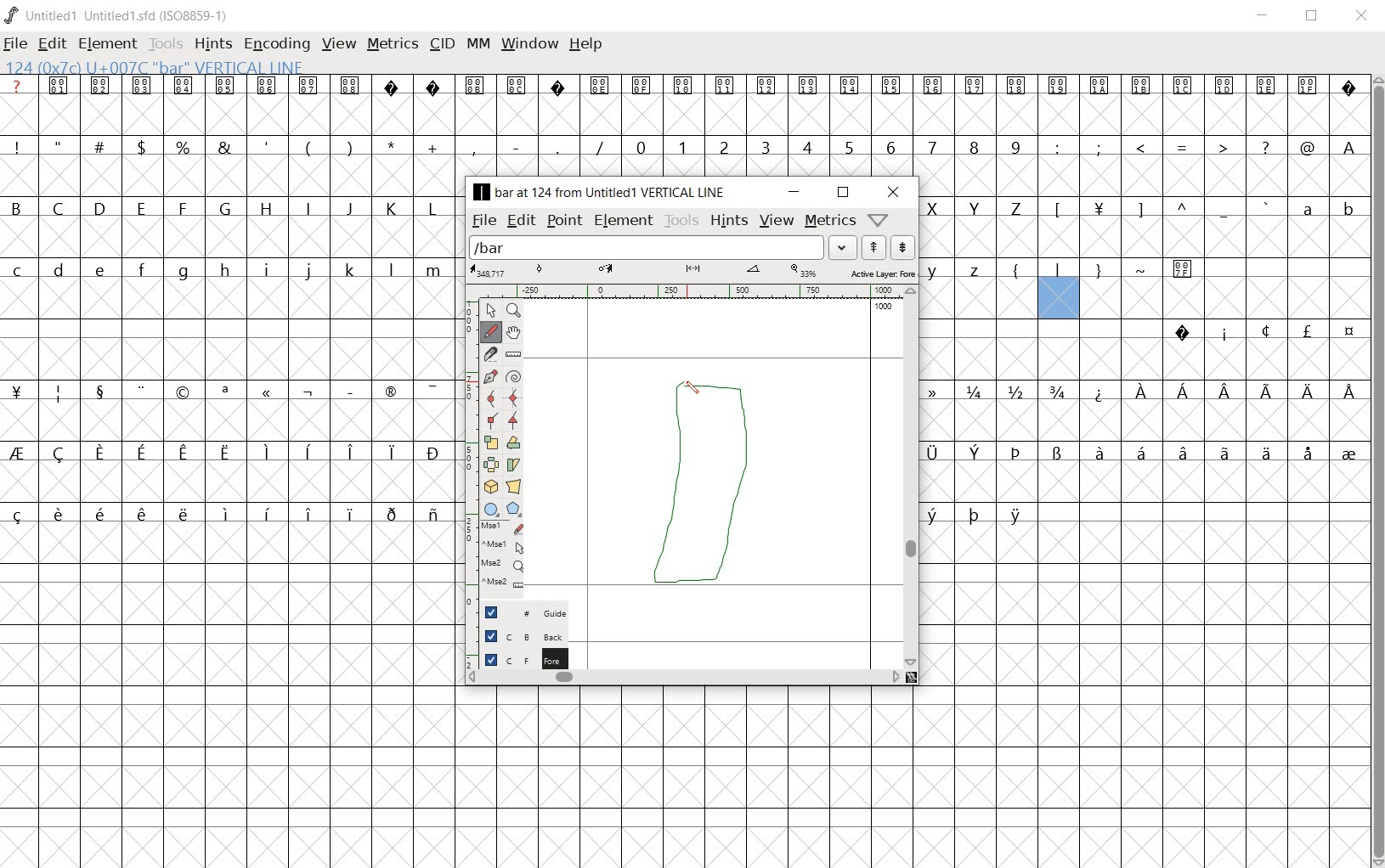  What do you see at coordinates (478, 42) in the screenshot?
I see `mm` at bounding box center [478, 42].